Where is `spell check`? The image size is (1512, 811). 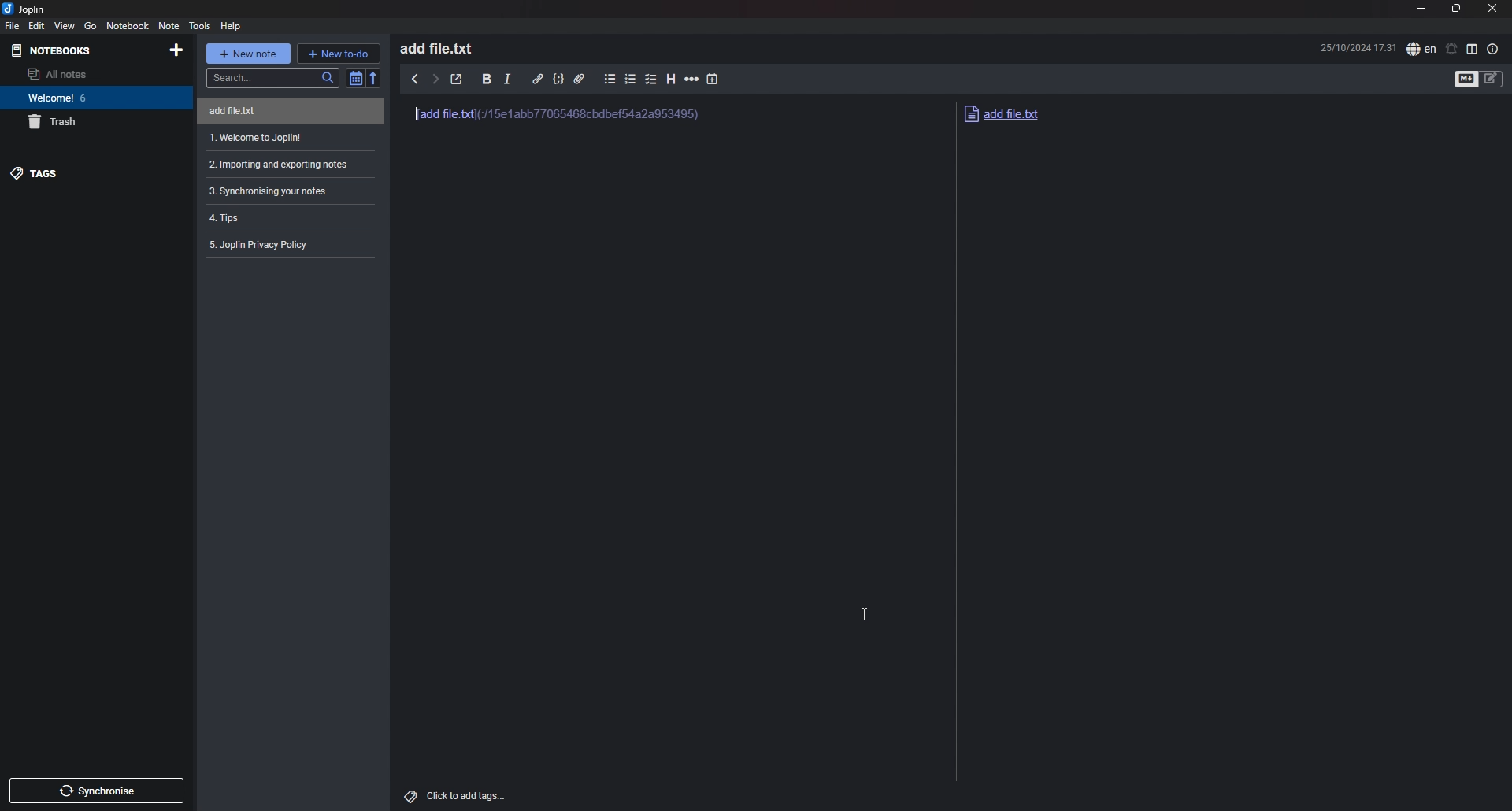
spell check is located at coordinates (1421, 49).